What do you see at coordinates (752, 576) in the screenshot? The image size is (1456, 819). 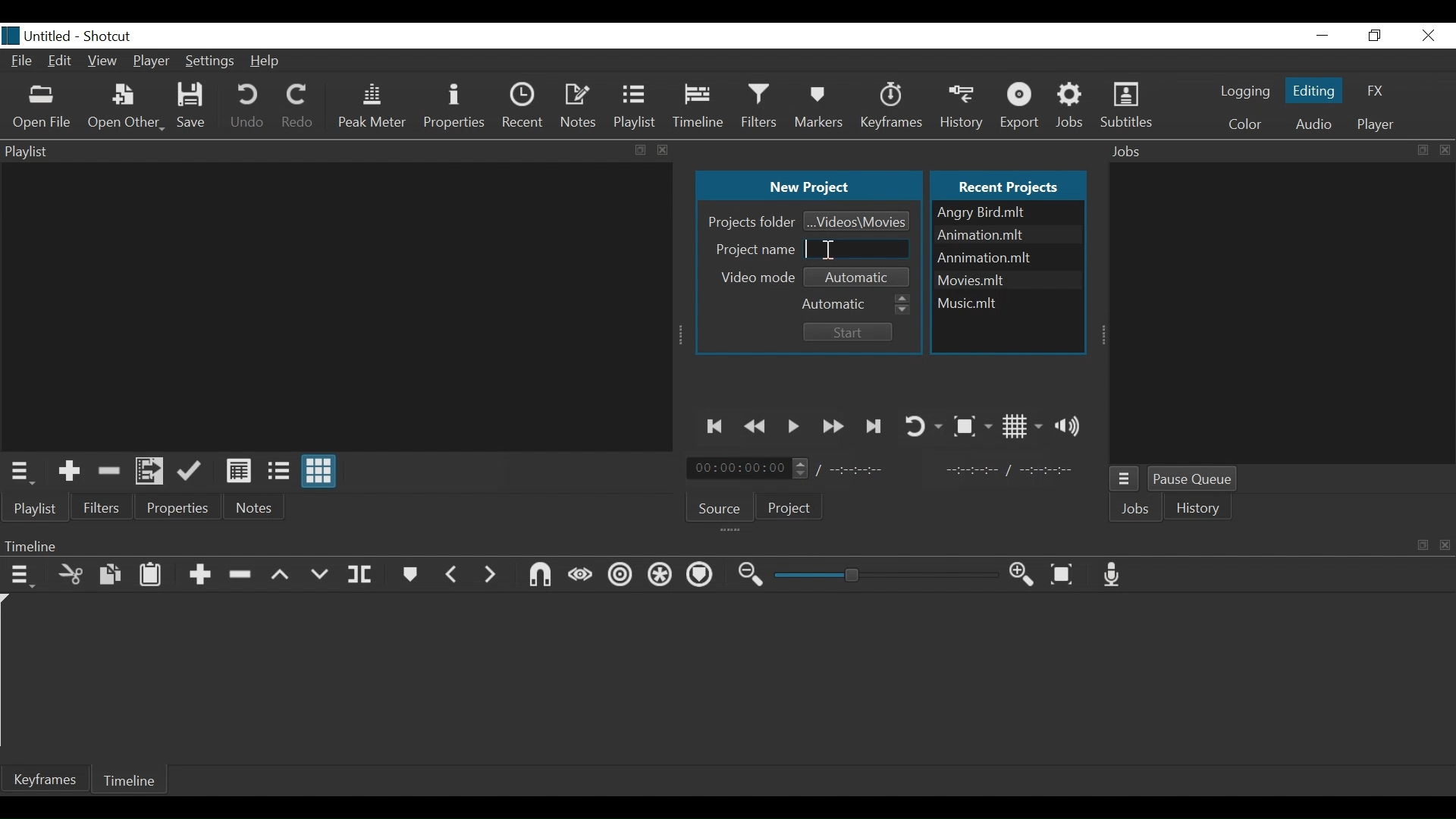 I see `Zoom timeline out` at bounding box center [752, 576].